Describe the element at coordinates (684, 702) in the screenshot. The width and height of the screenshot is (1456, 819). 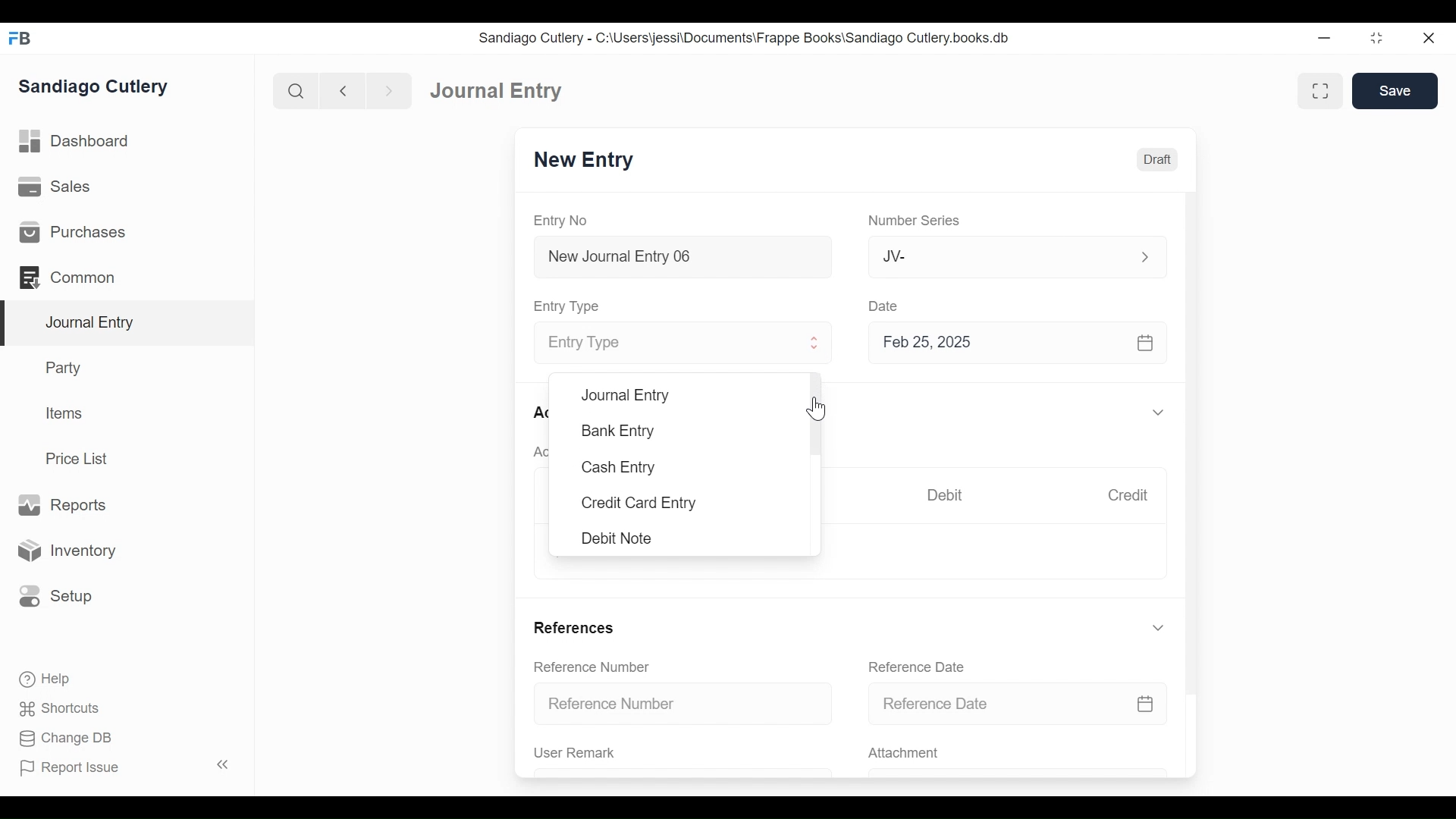
I see `Reference Number` at that location.